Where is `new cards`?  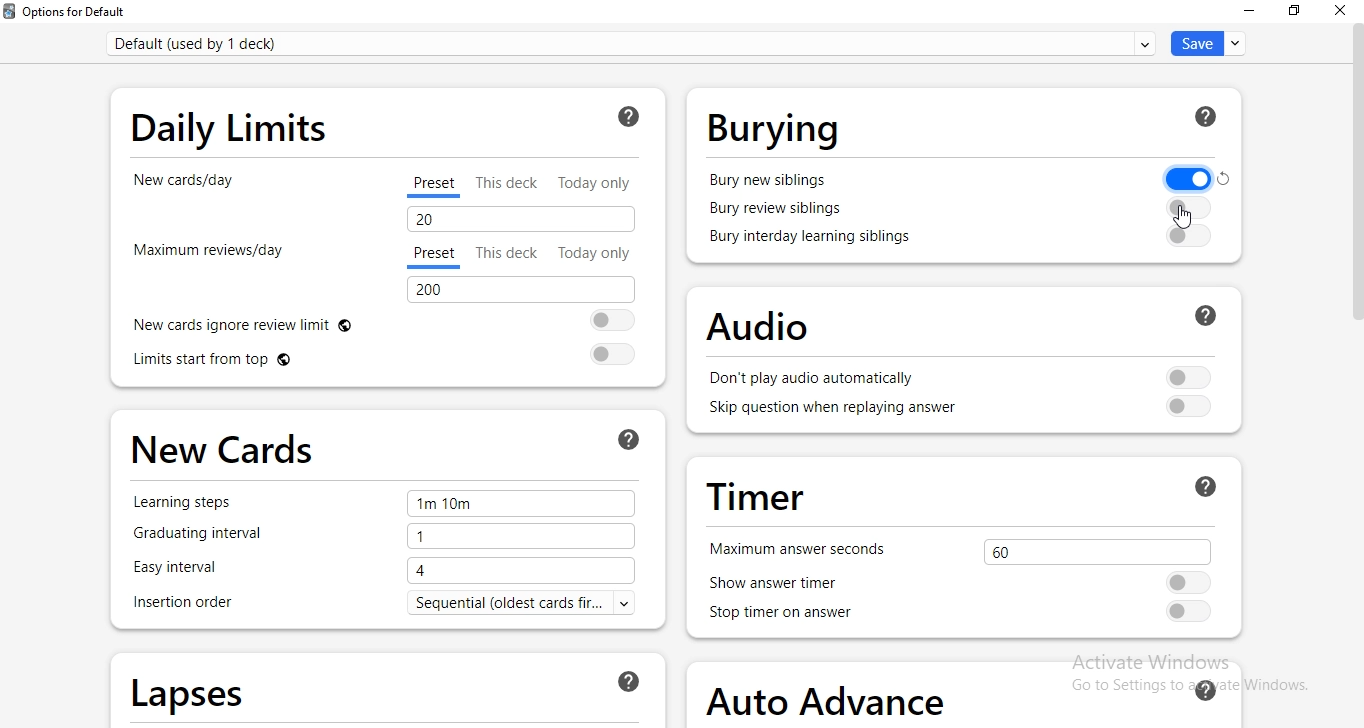
new cards is located at coordinates (224, 443).